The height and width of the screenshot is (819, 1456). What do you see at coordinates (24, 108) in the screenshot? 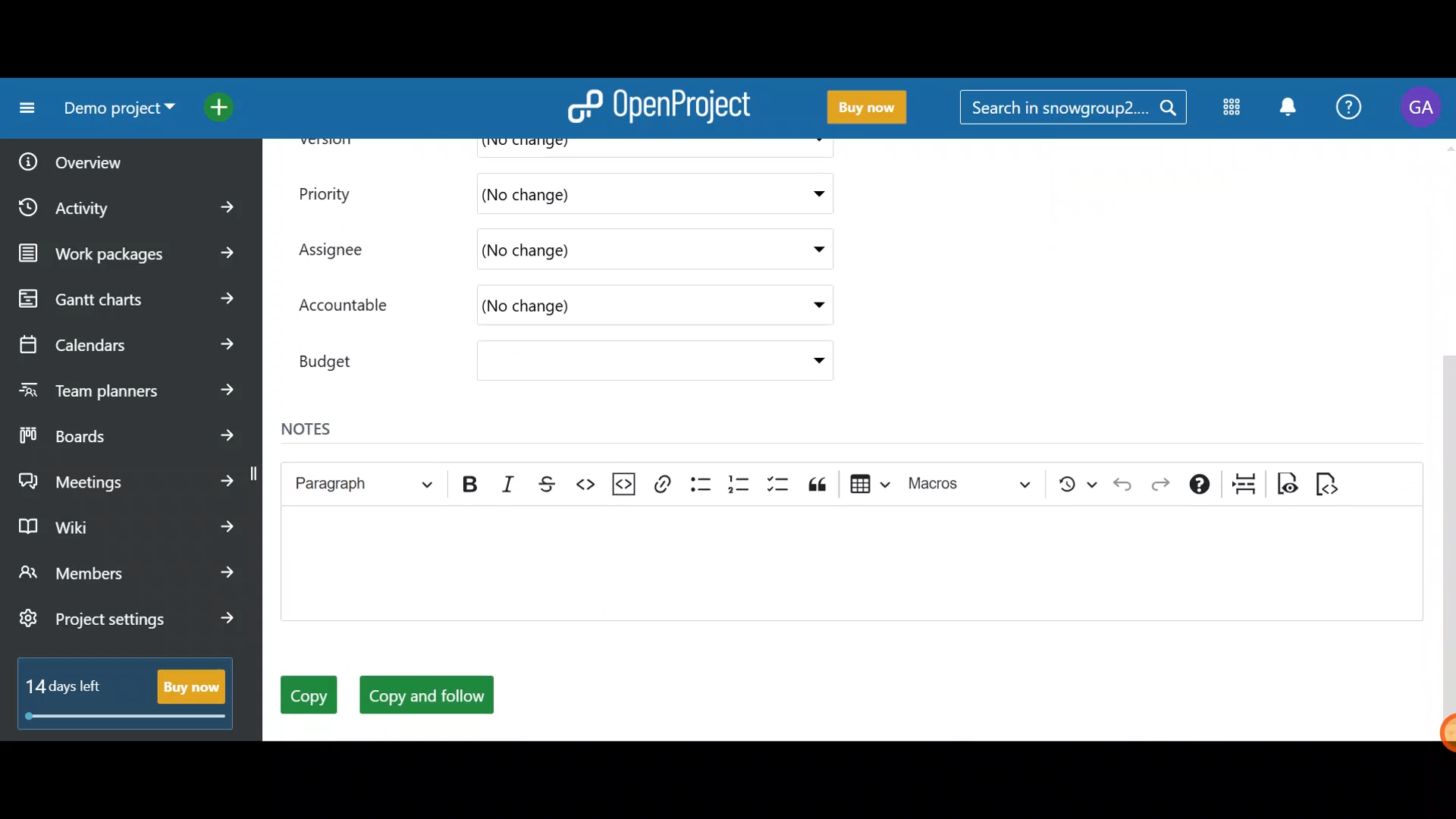
I see `Collapse project menu` at bounding box center [24, 108].